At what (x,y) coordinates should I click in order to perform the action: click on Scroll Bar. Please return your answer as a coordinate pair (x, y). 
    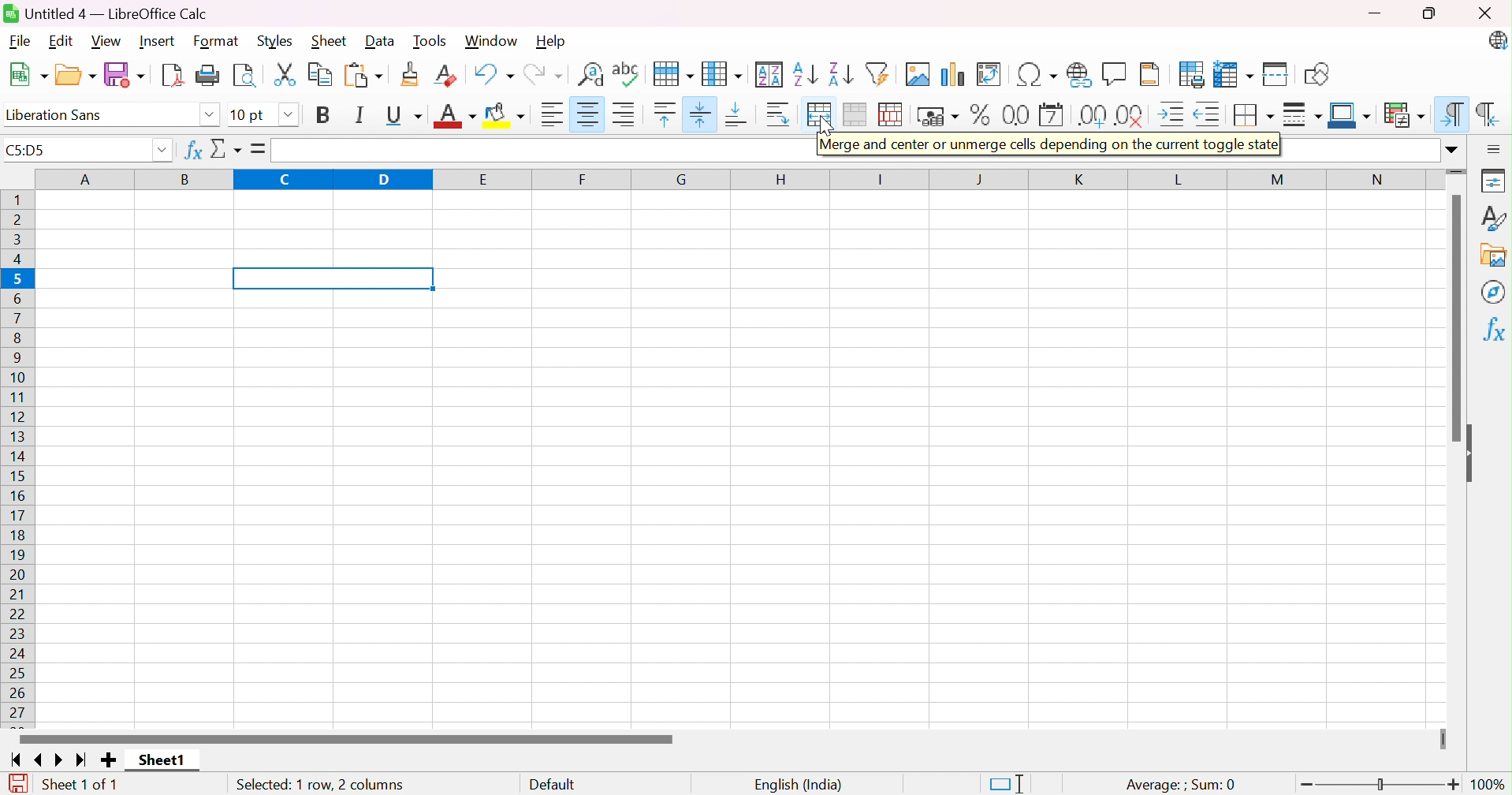
    Looking at the image, I should click on (1452, 319).